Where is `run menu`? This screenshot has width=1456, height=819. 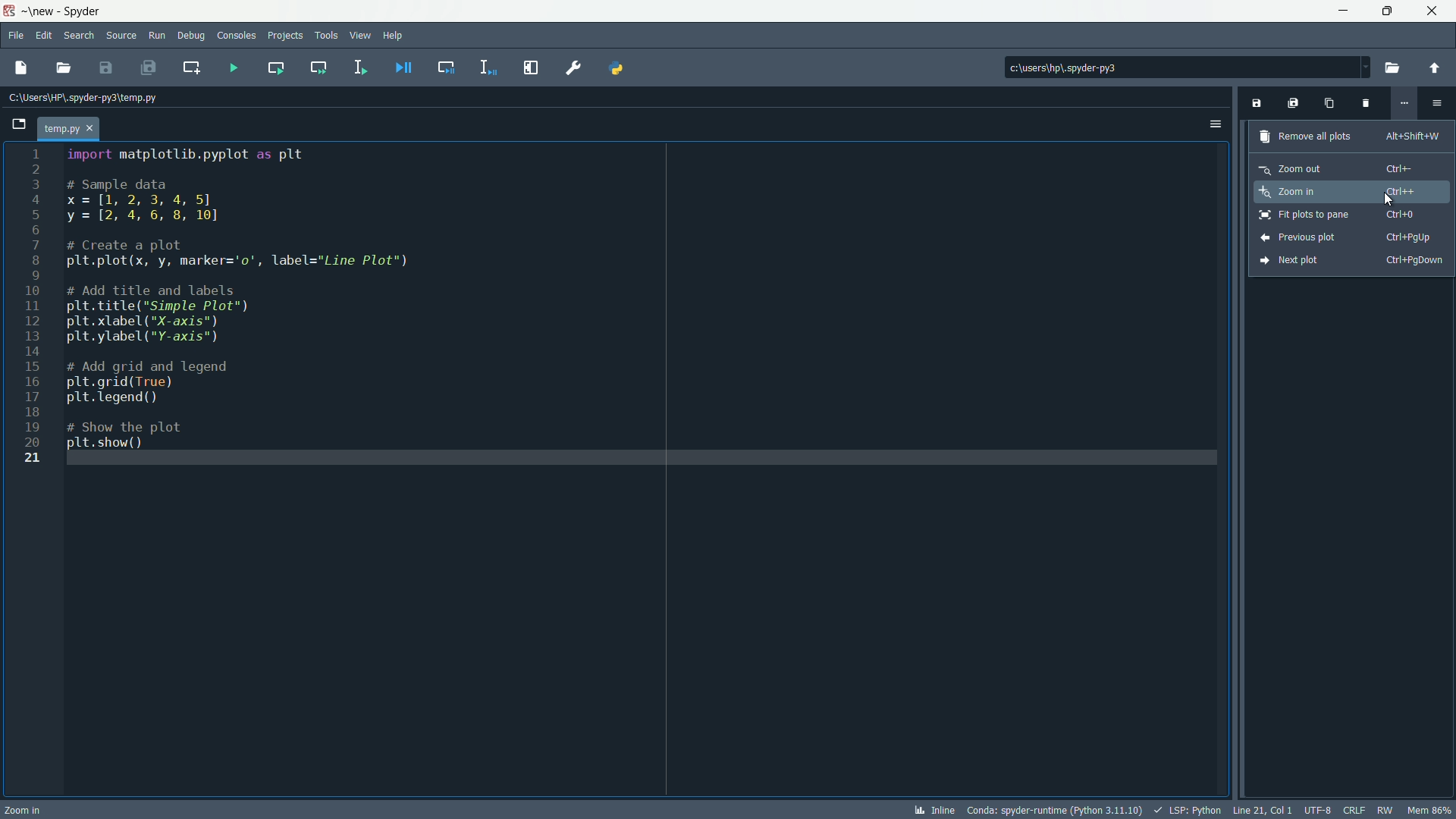
run menu is located at coordinates (157, 34).